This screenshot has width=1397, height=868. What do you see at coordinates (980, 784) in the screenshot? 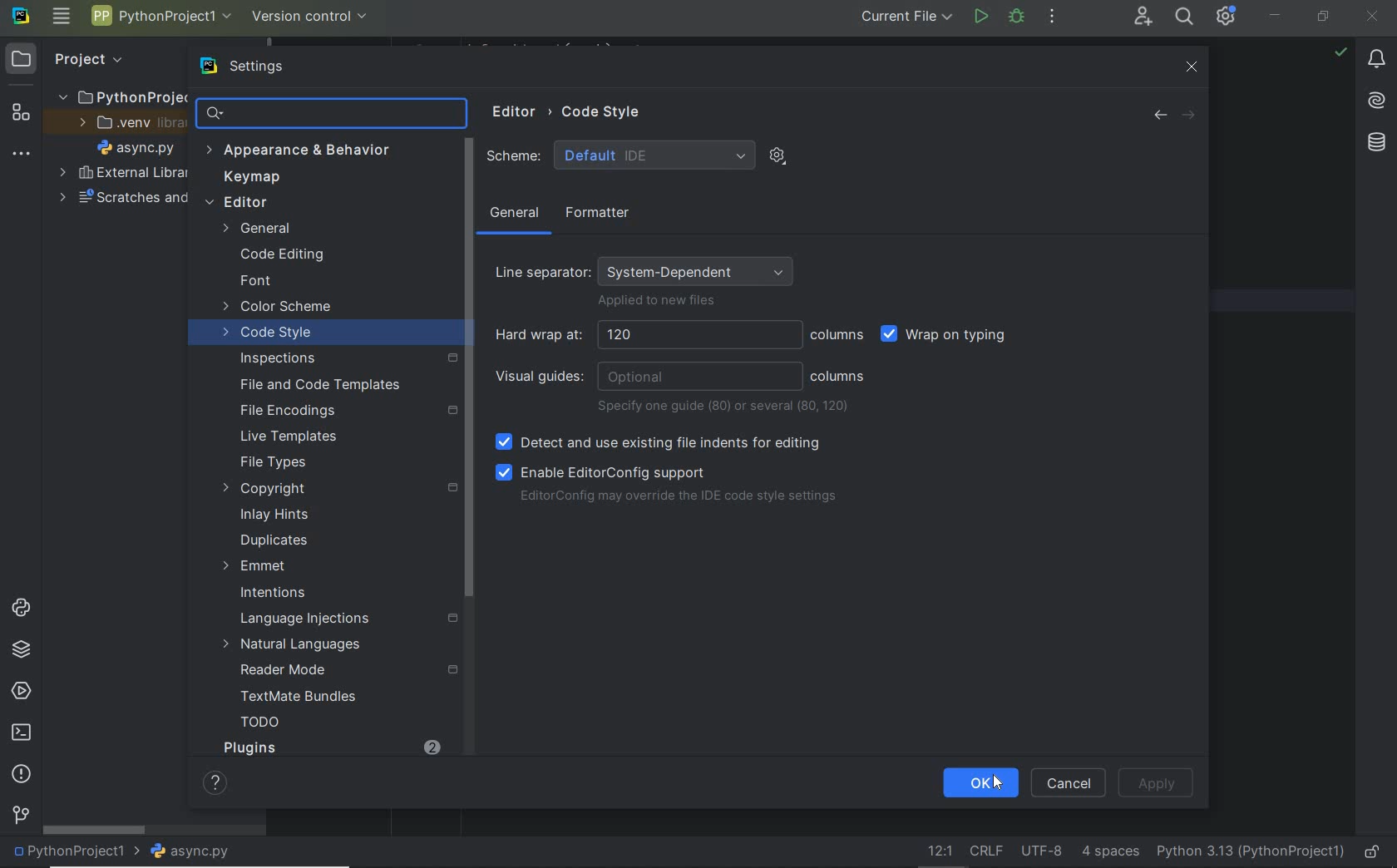
I see `OK` at bounding box center [980, 784].